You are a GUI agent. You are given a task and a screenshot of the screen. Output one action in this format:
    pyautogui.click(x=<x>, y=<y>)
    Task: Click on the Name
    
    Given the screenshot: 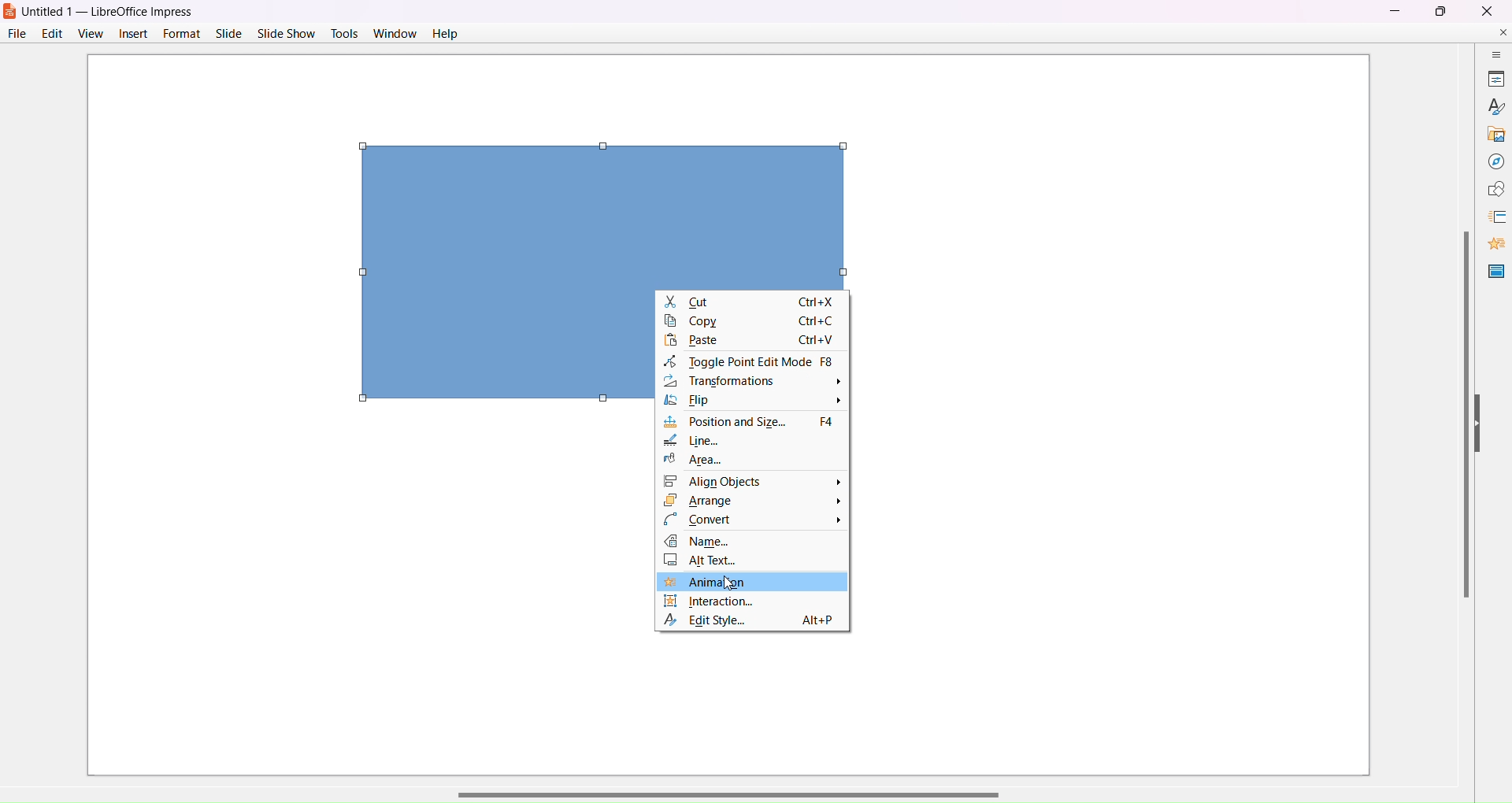 What is the action you would take?
    pyautogui.click(x=755, y=542)
    